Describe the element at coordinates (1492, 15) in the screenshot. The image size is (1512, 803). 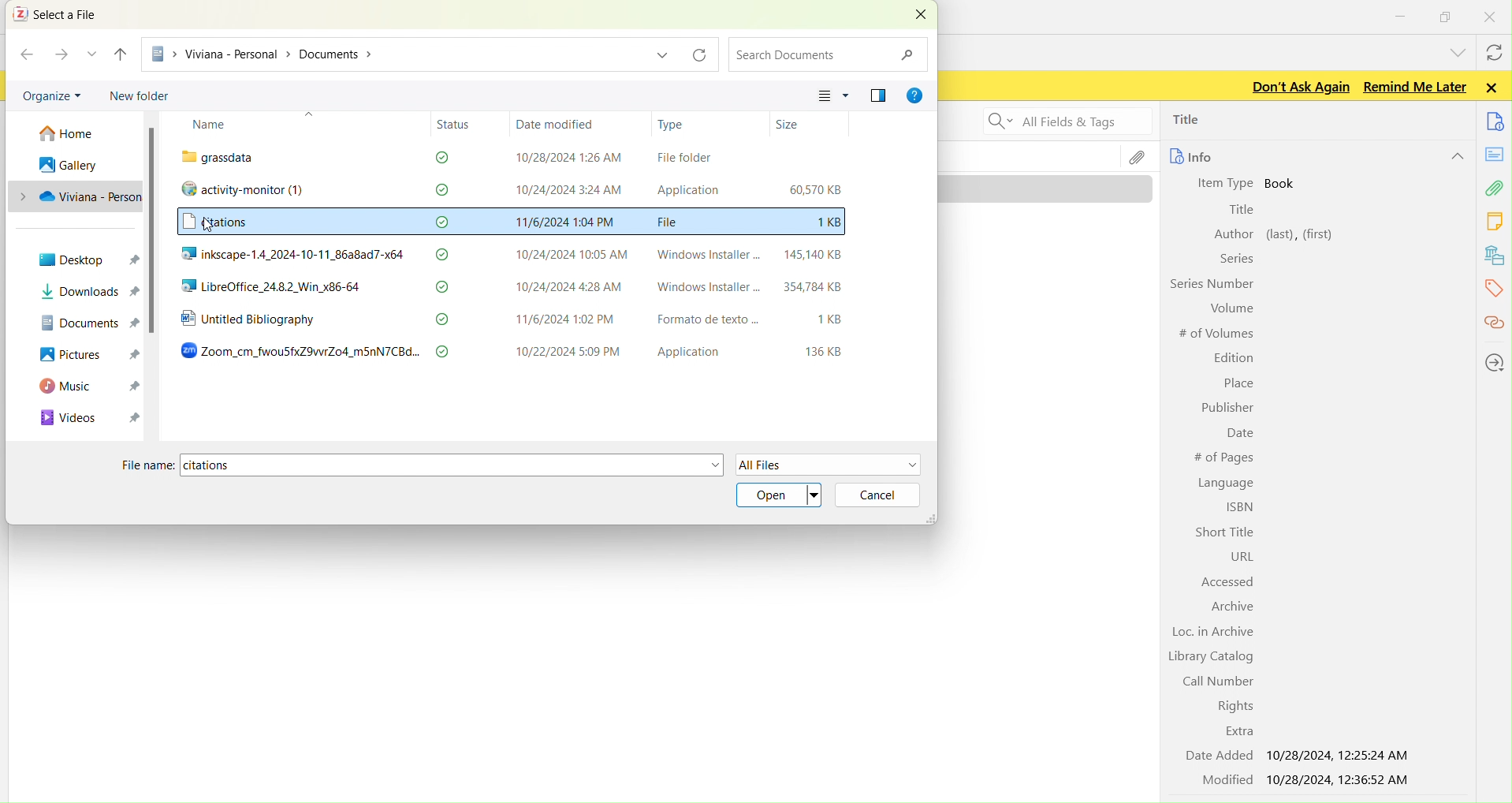
I see `close` at that location.